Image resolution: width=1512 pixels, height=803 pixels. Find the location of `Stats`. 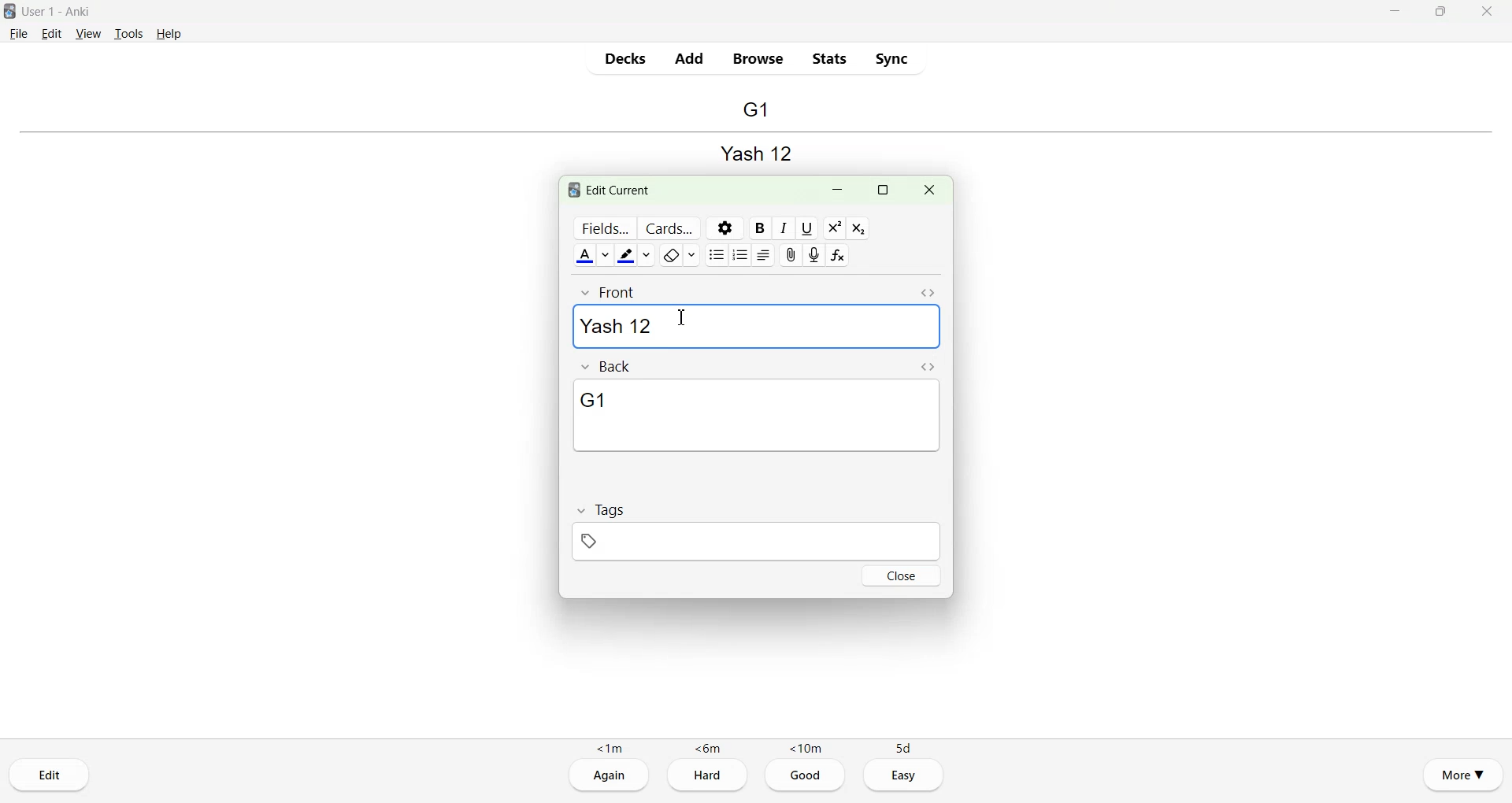

Stats is located at coordinates (828, 58).